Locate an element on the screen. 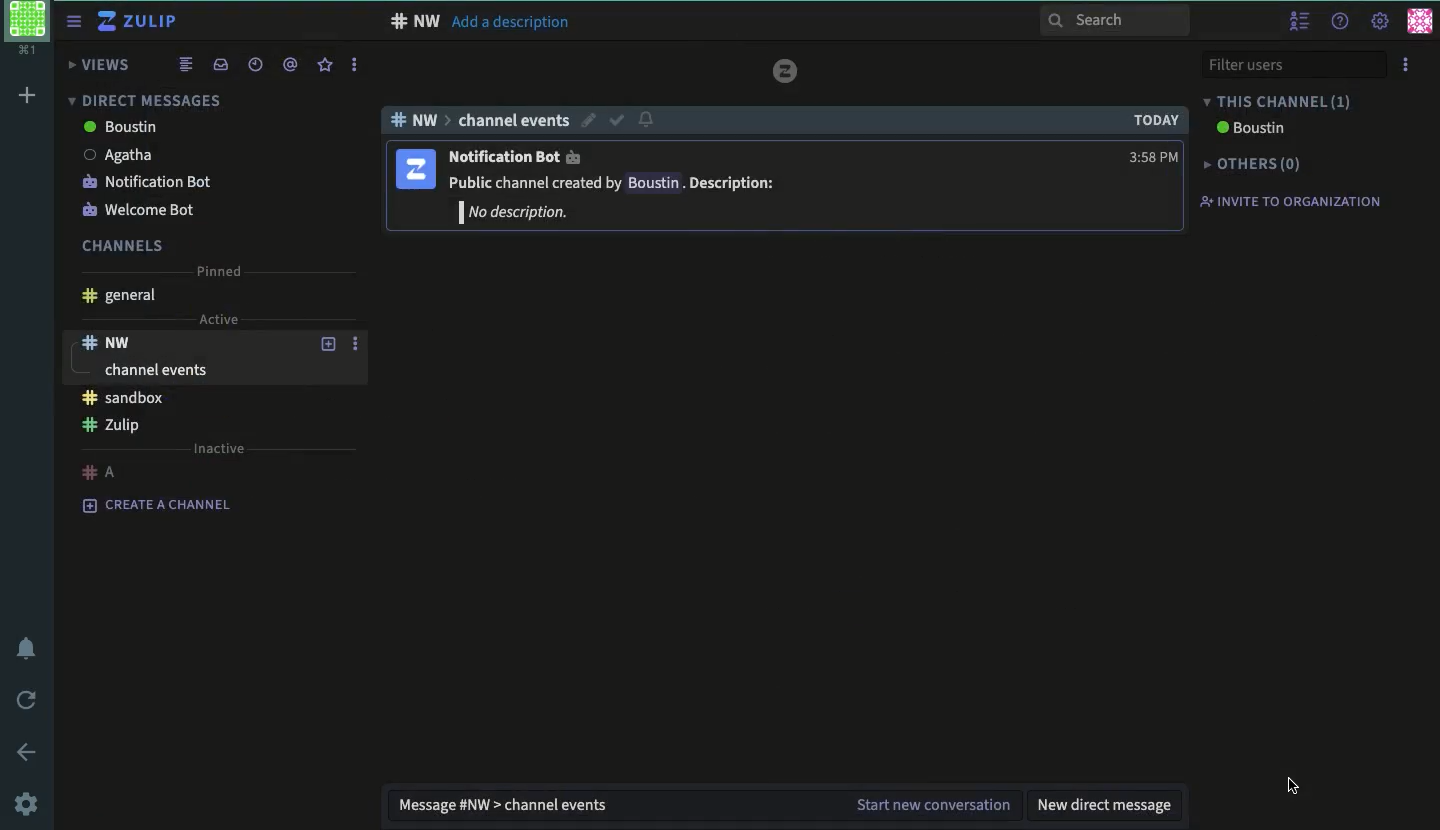 The height and width of the screenshot is (830, 1440). a is located at coordinates (102, 472).